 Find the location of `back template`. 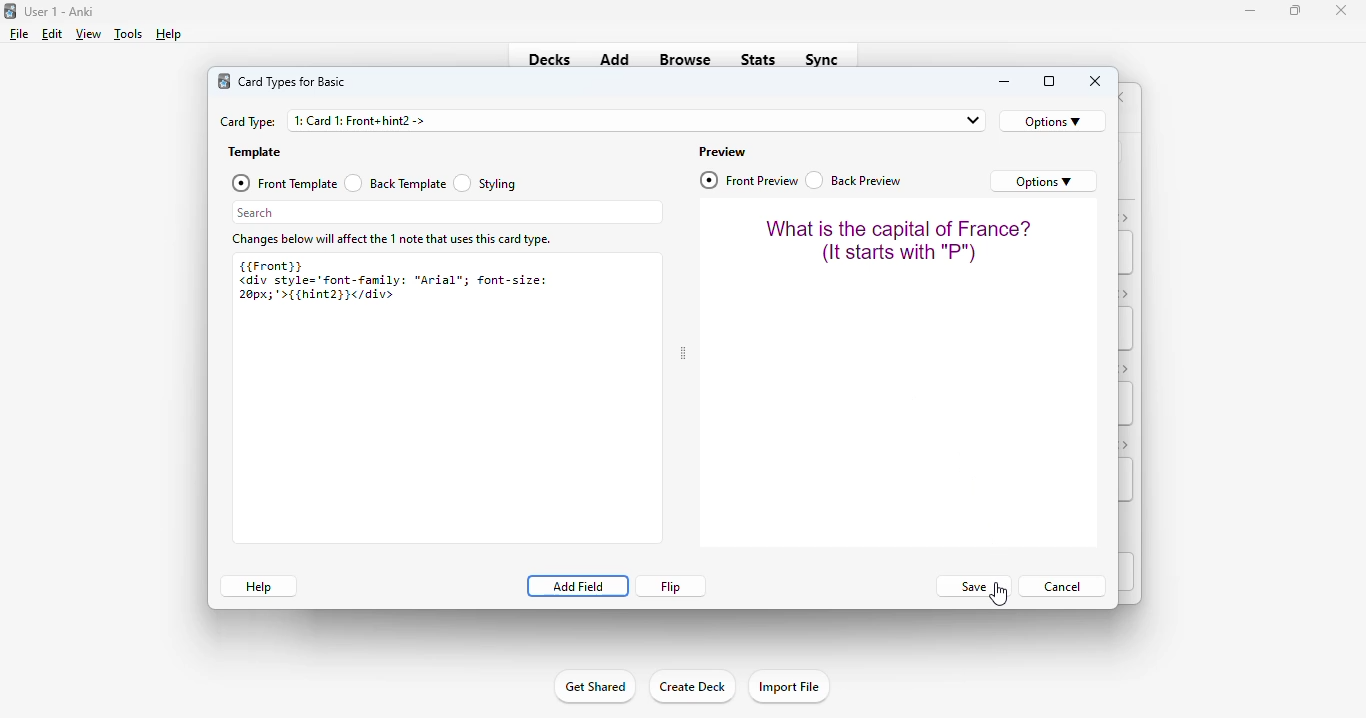

back template is located at coordinates (395, 183).